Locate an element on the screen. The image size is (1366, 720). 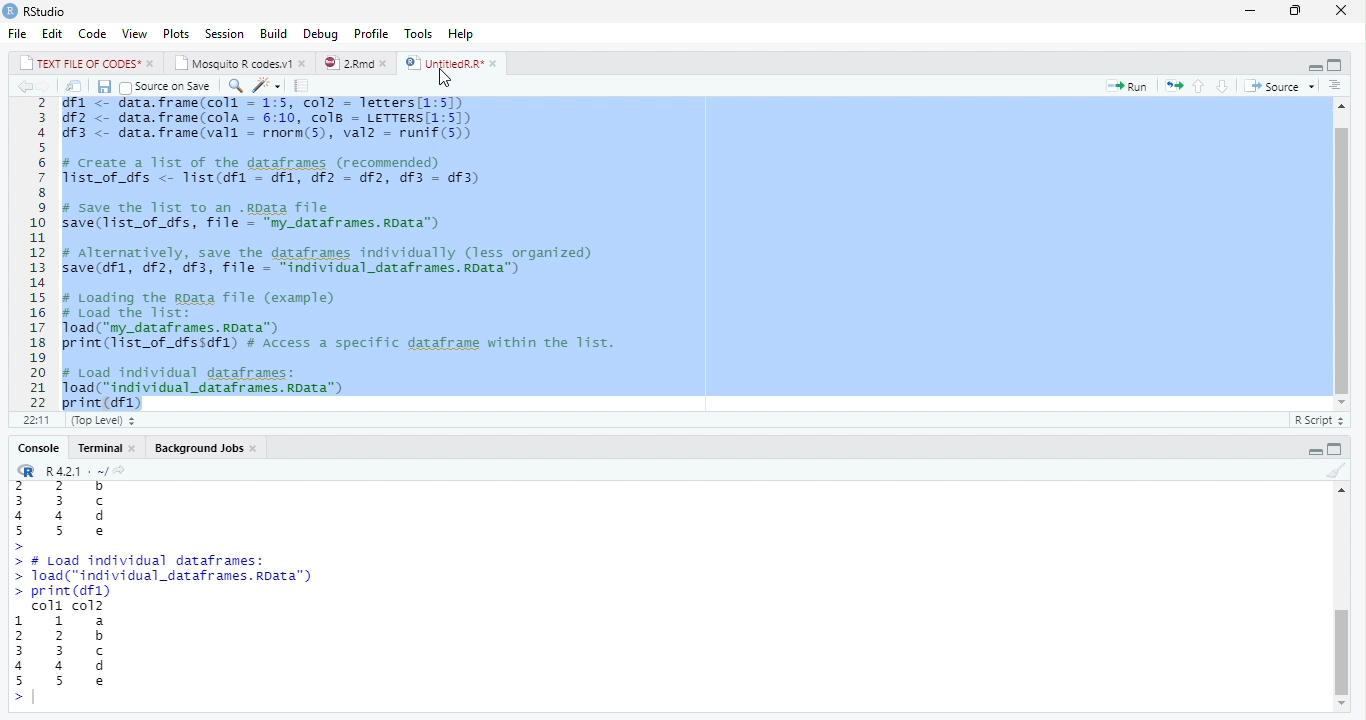
Code is located at coordinates (93, 34).